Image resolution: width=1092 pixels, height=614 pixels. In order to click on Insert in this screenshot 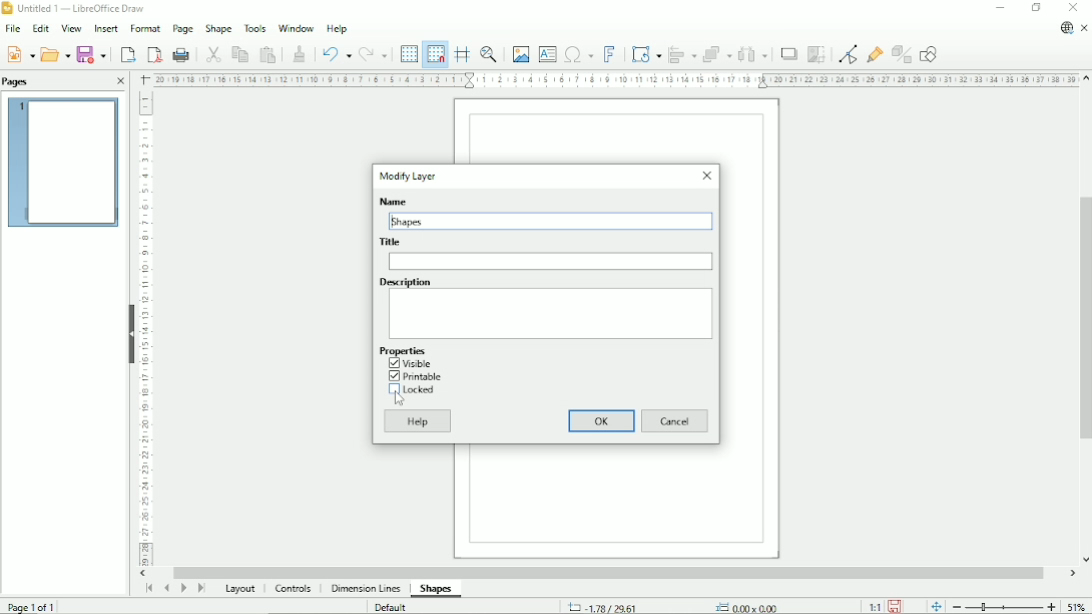, I will do `click(107, 28)`.